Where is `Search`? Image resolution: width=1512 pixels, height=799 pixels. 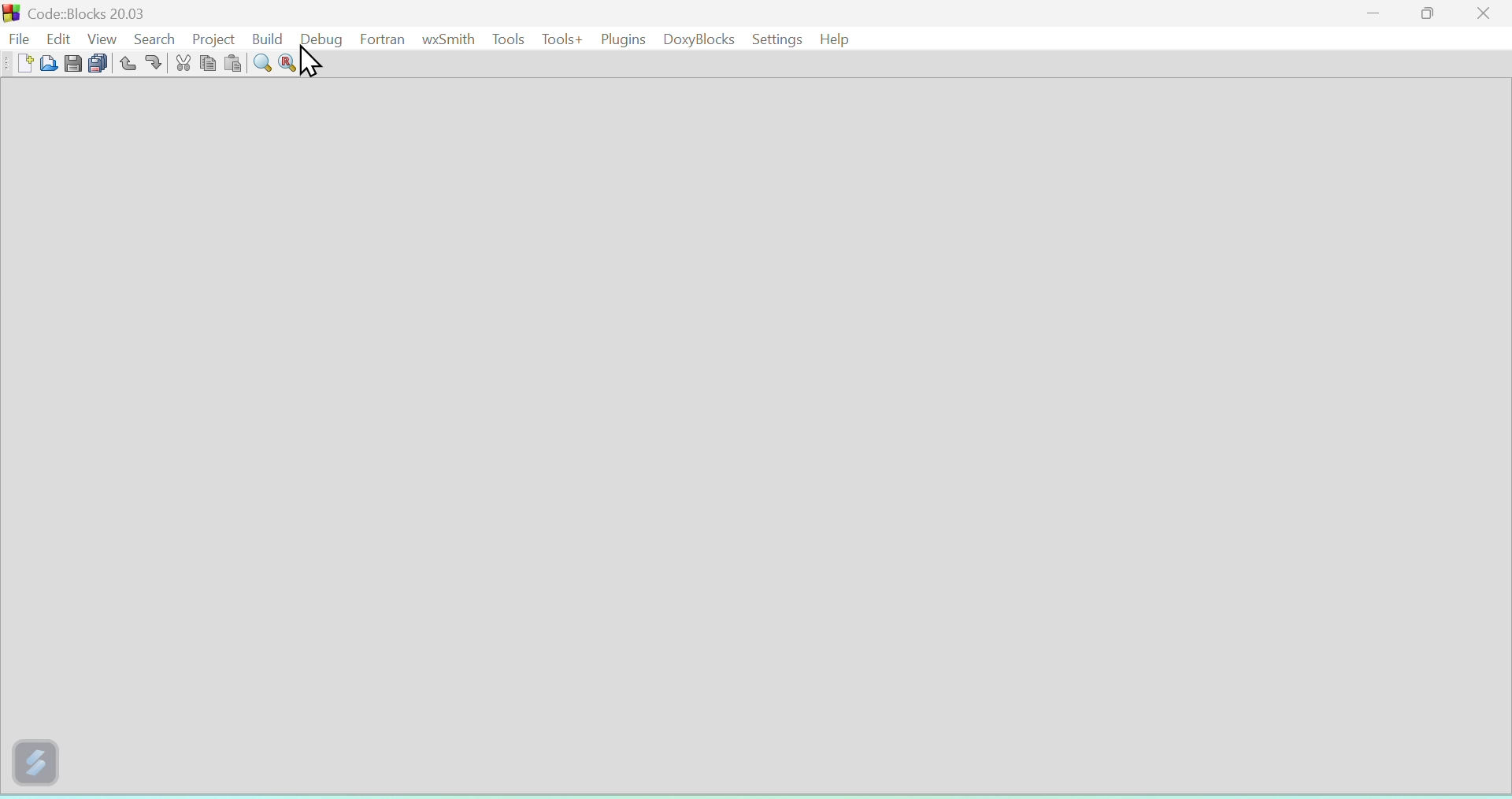
Search is located at coordinates (151, 38).